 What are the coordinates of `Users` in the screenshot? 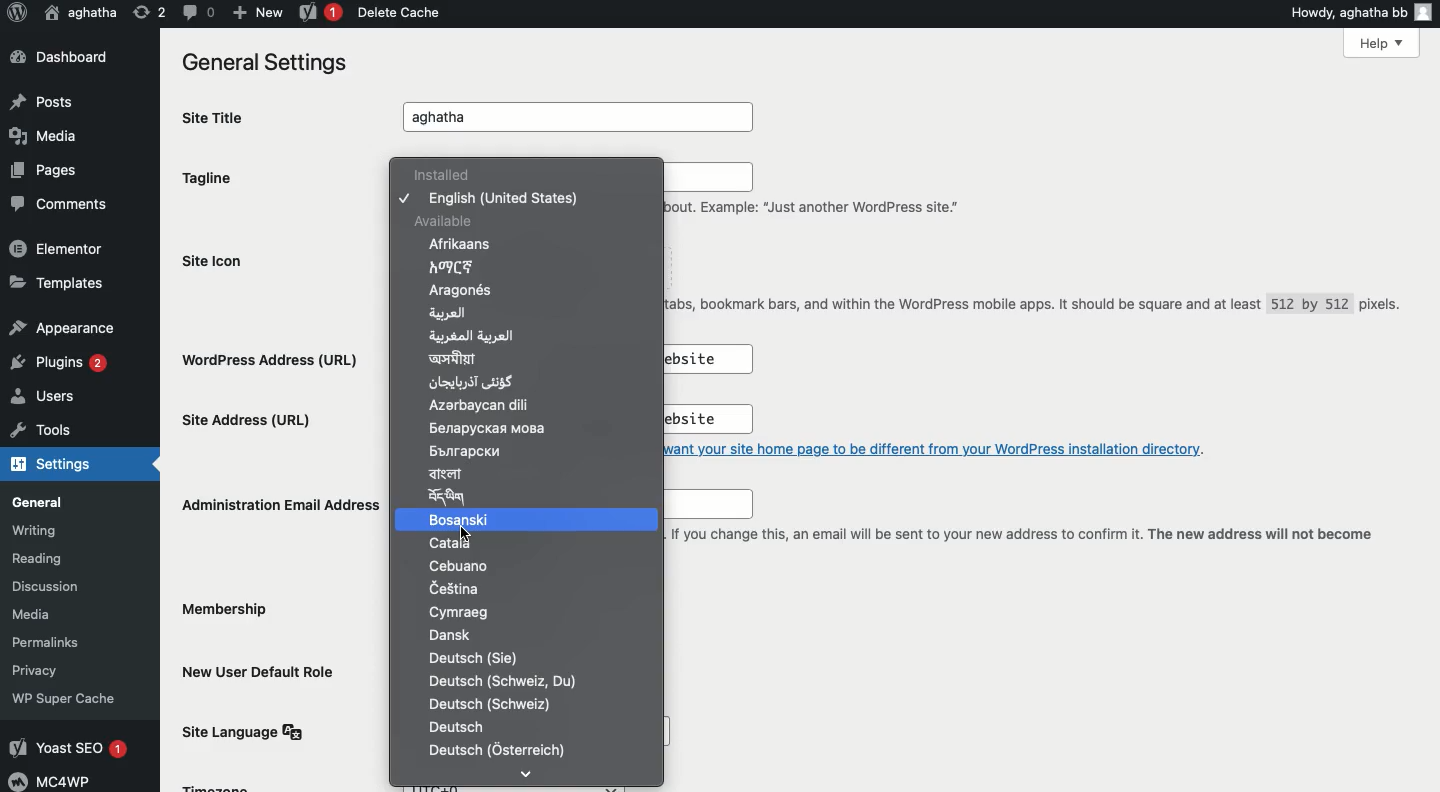 It's located at (50, 397).